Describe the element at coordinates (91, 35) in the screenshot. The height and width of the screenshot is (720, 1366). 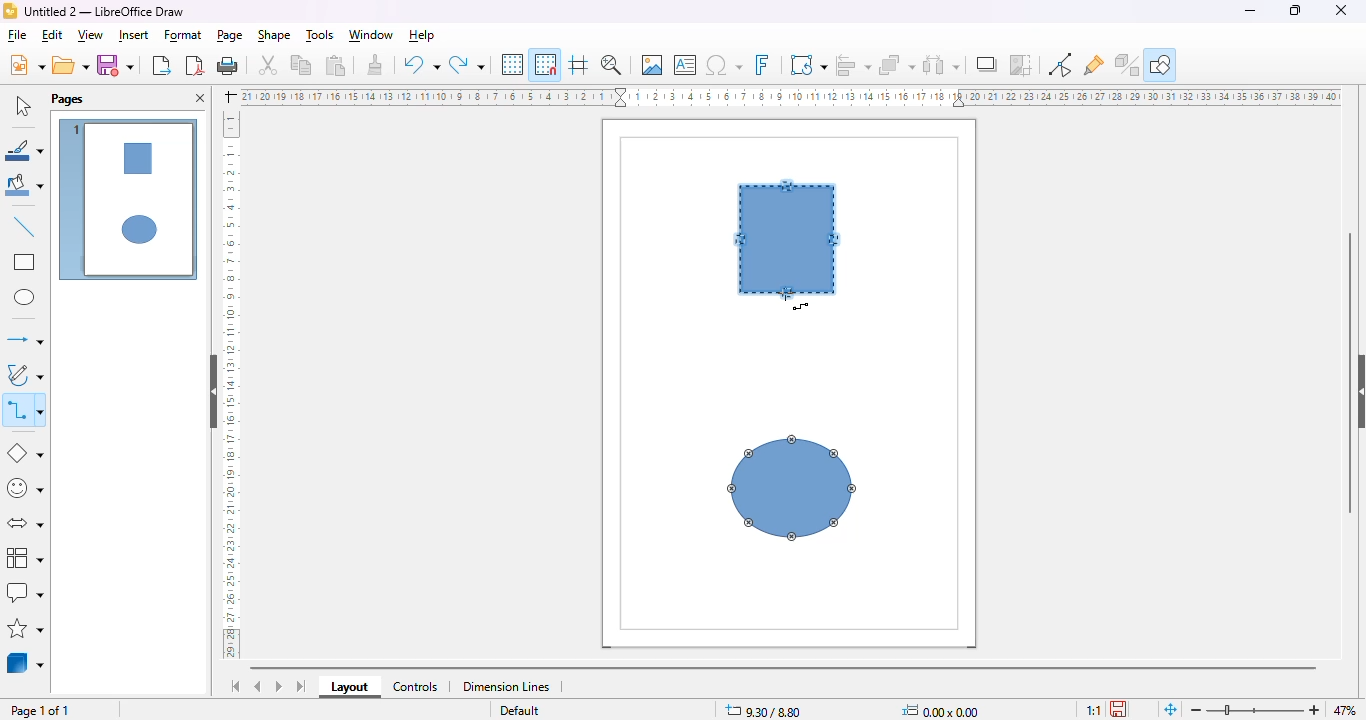
I see `view` at that location.